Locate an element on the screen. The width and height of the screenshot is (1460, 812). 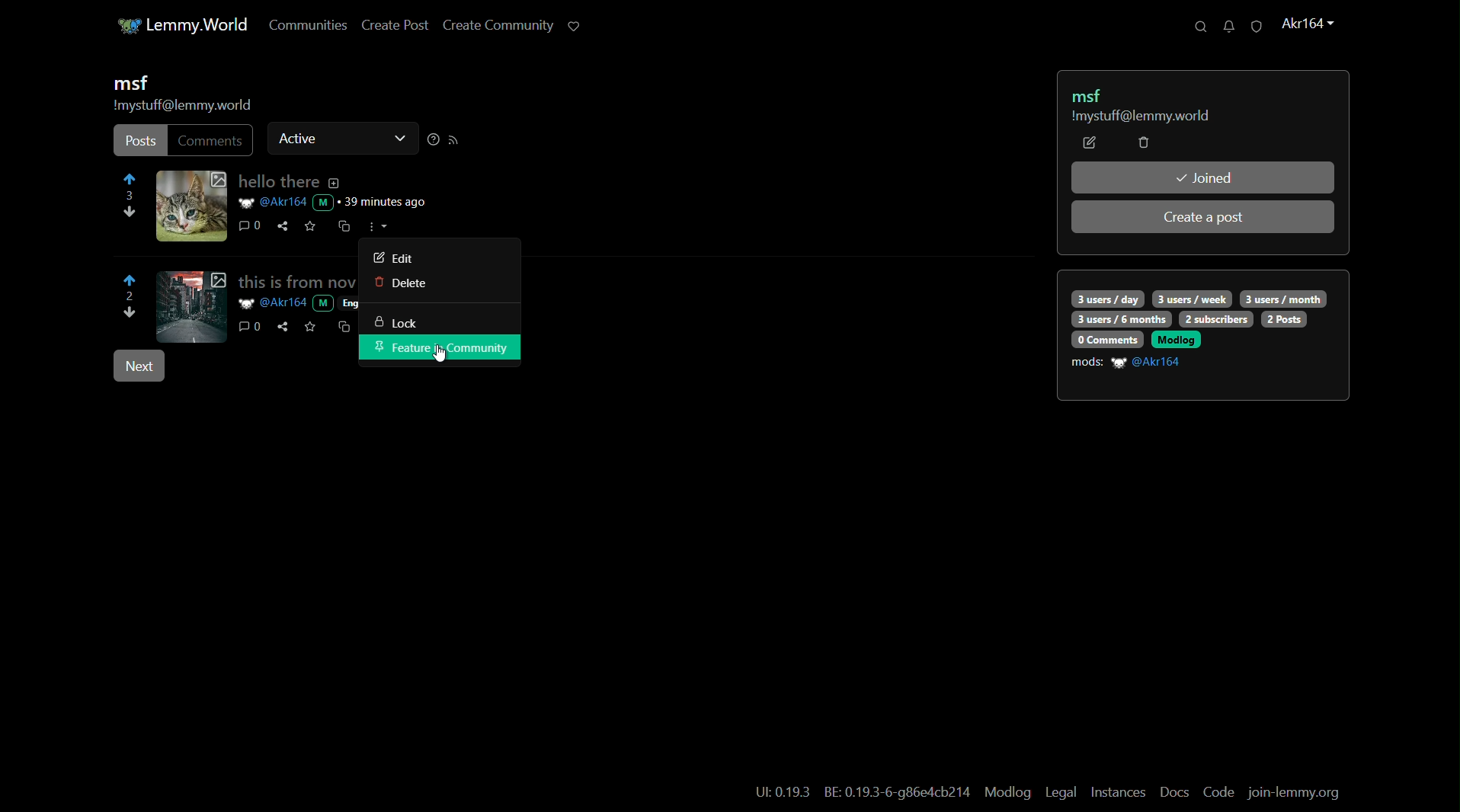
delete is located at coordinates (1143, 144).